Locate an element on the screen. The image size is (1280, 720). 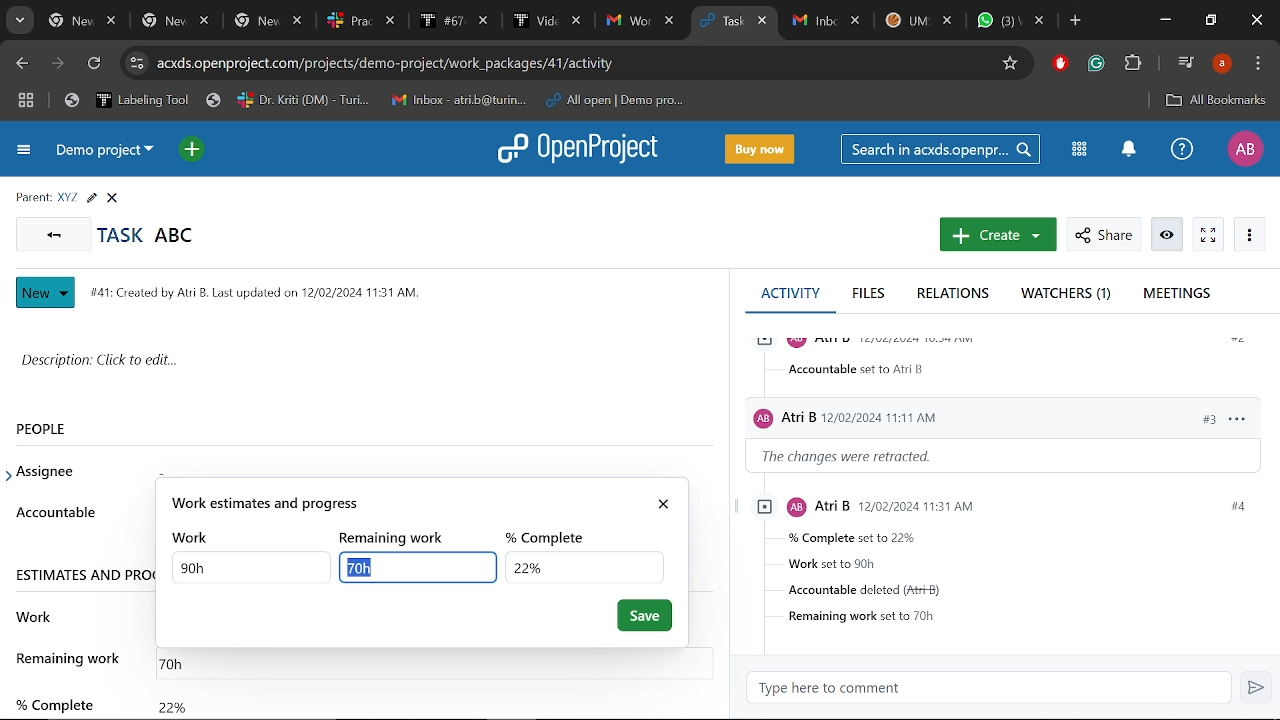
Previous page is located at coordinates (21, 63).